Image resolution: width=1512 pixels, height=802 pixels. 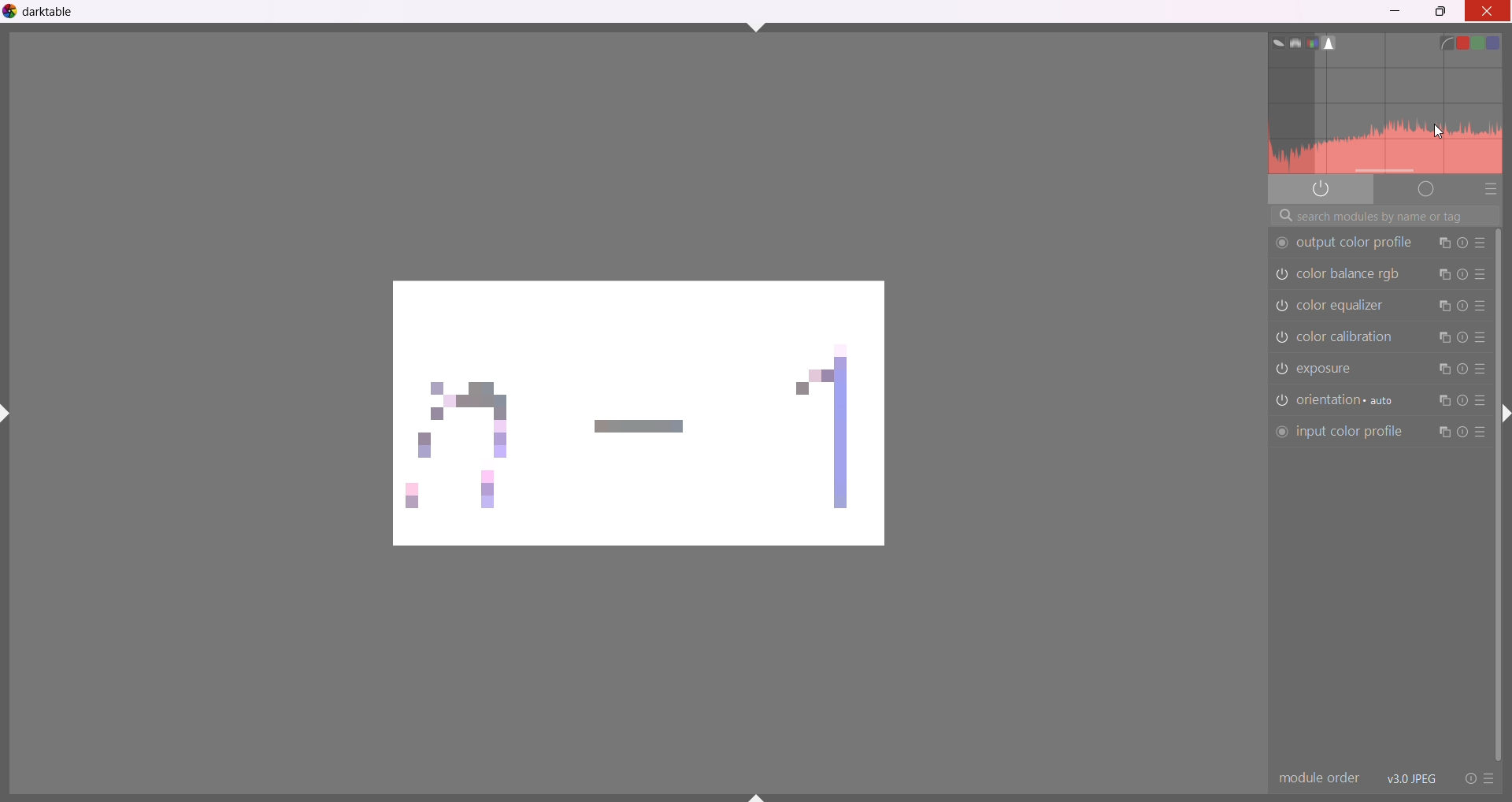 I want to click on color balance rgb, so click(x=1352, y=277).